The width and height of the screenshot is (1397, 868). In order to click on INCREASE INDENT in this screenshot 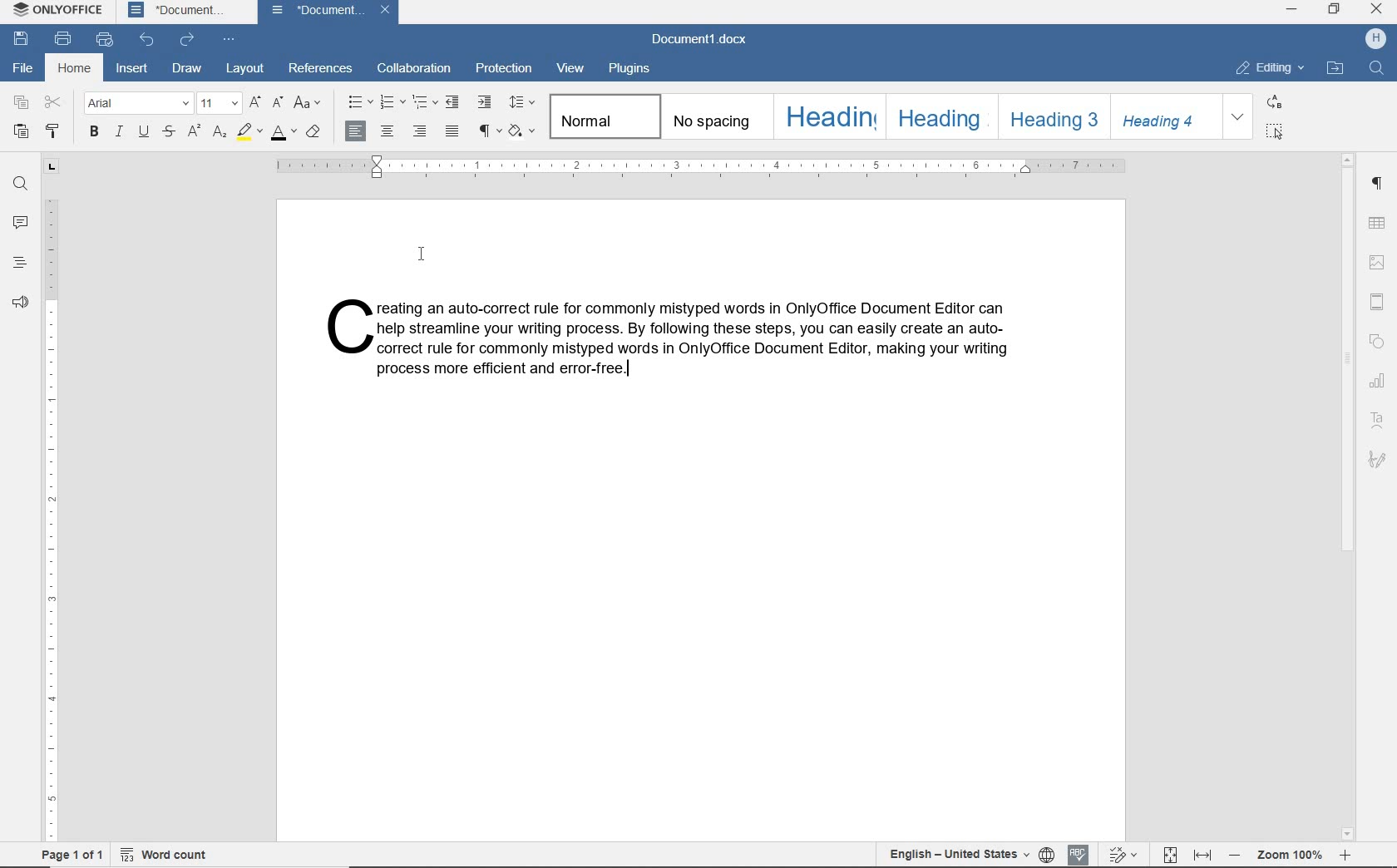, I will do `click(484, 103)`.